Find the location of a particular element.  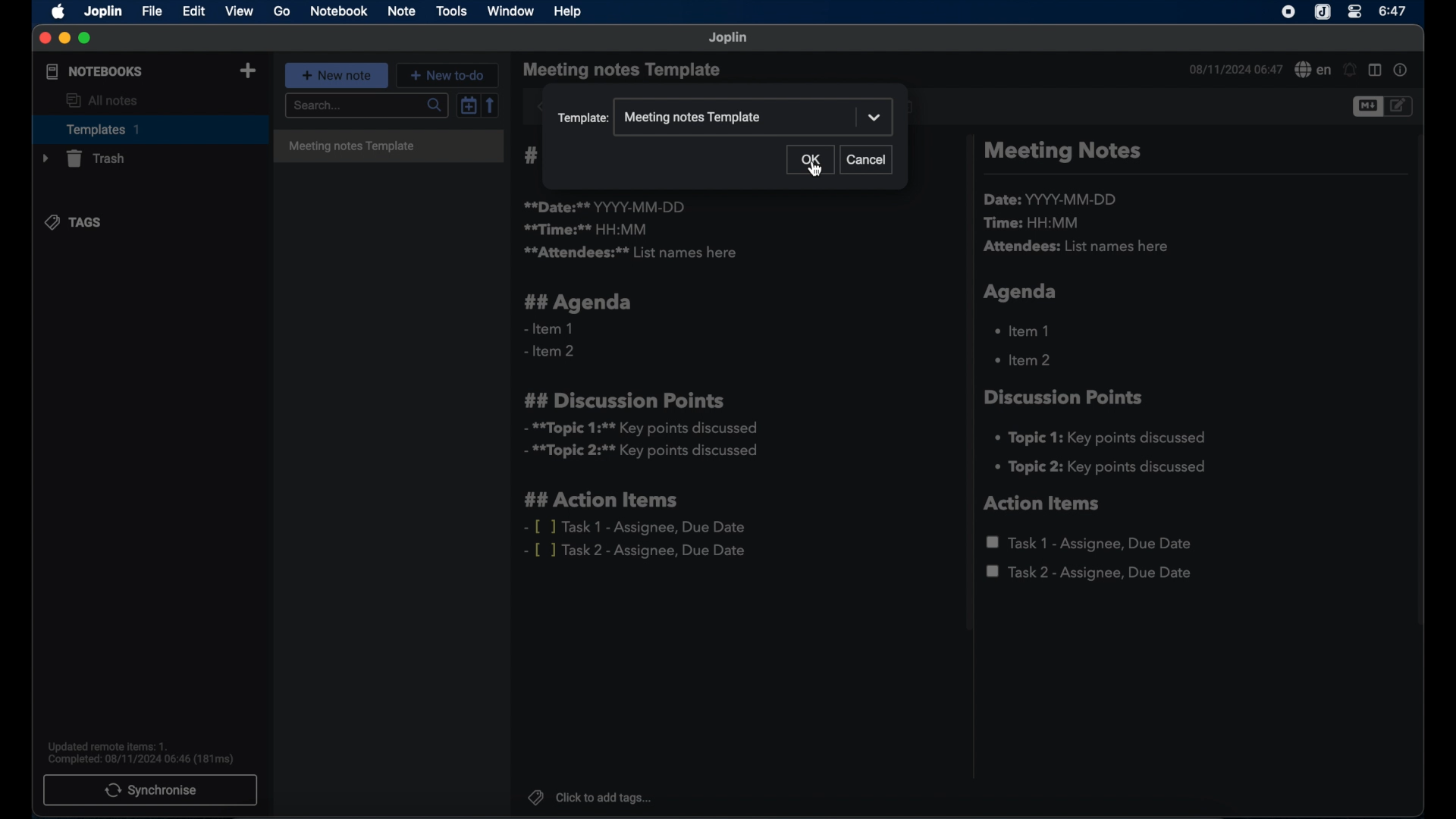

template is located at coordinates (584, 119).